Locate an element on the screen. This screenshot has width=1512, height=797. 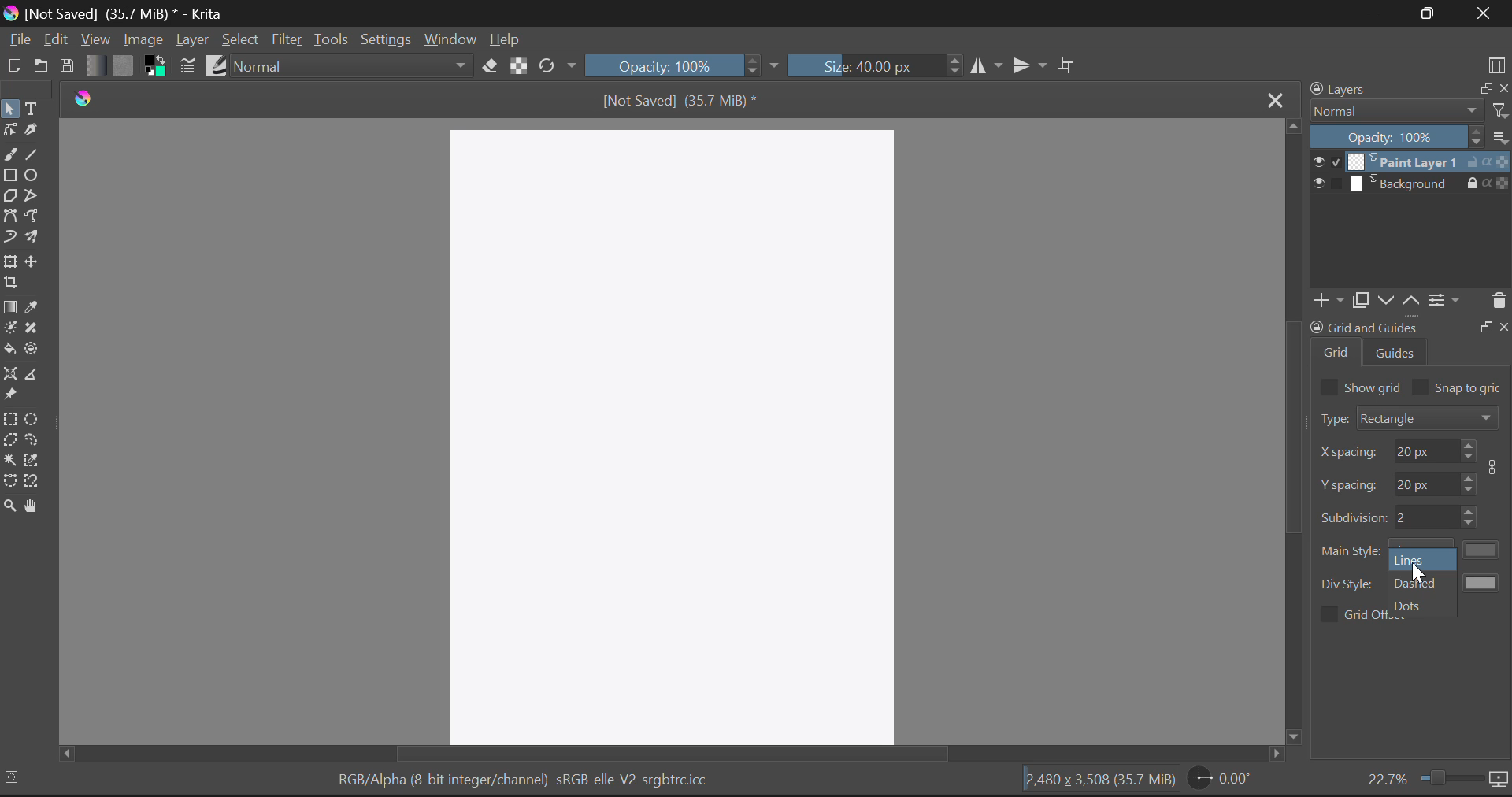
Horizontal Mirror Flip is located at coordinates (1033, 66).